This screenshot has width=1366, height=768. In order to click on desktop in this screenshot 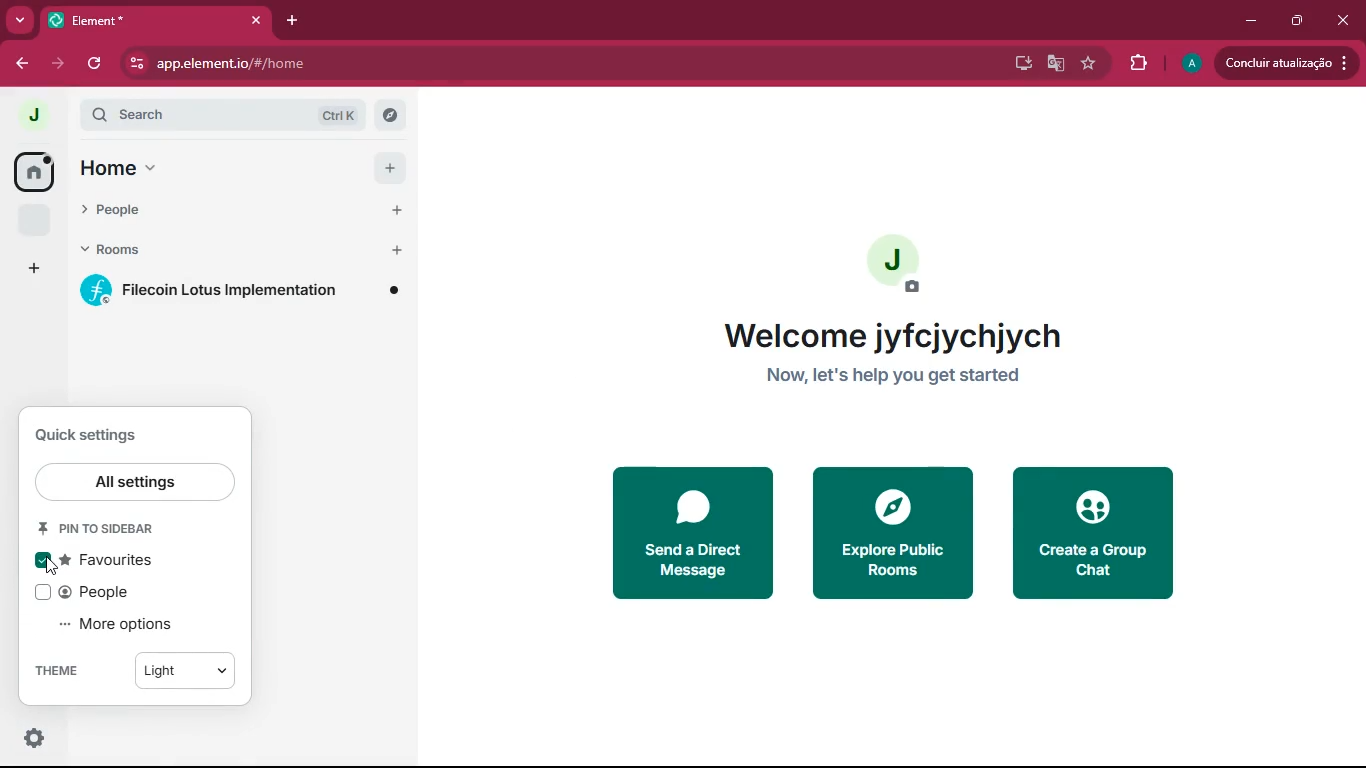, I will do `click(1019, 66)`.